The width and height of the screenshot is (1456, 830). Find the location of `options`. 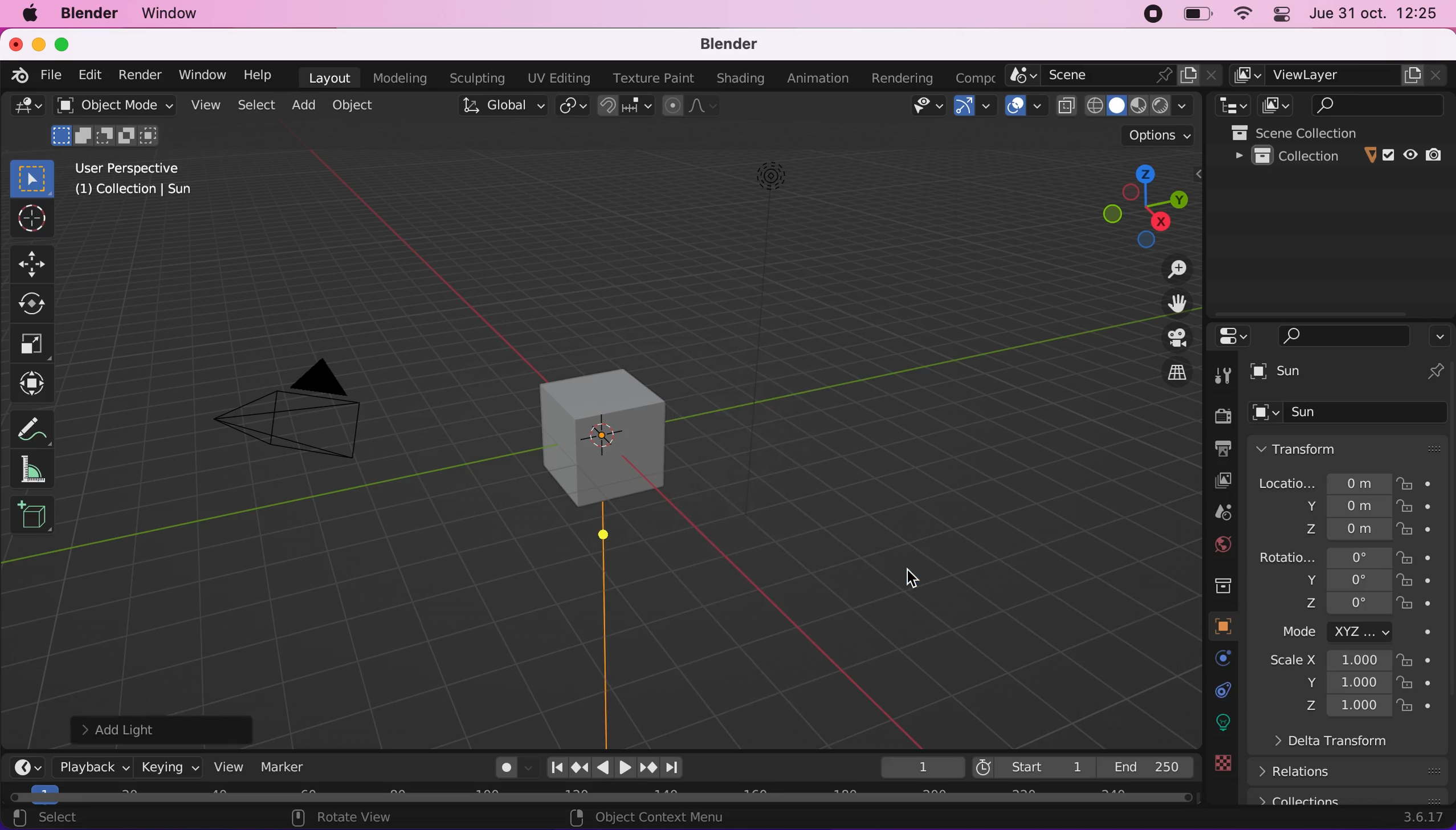

options is located at coordinates (1439, 333).